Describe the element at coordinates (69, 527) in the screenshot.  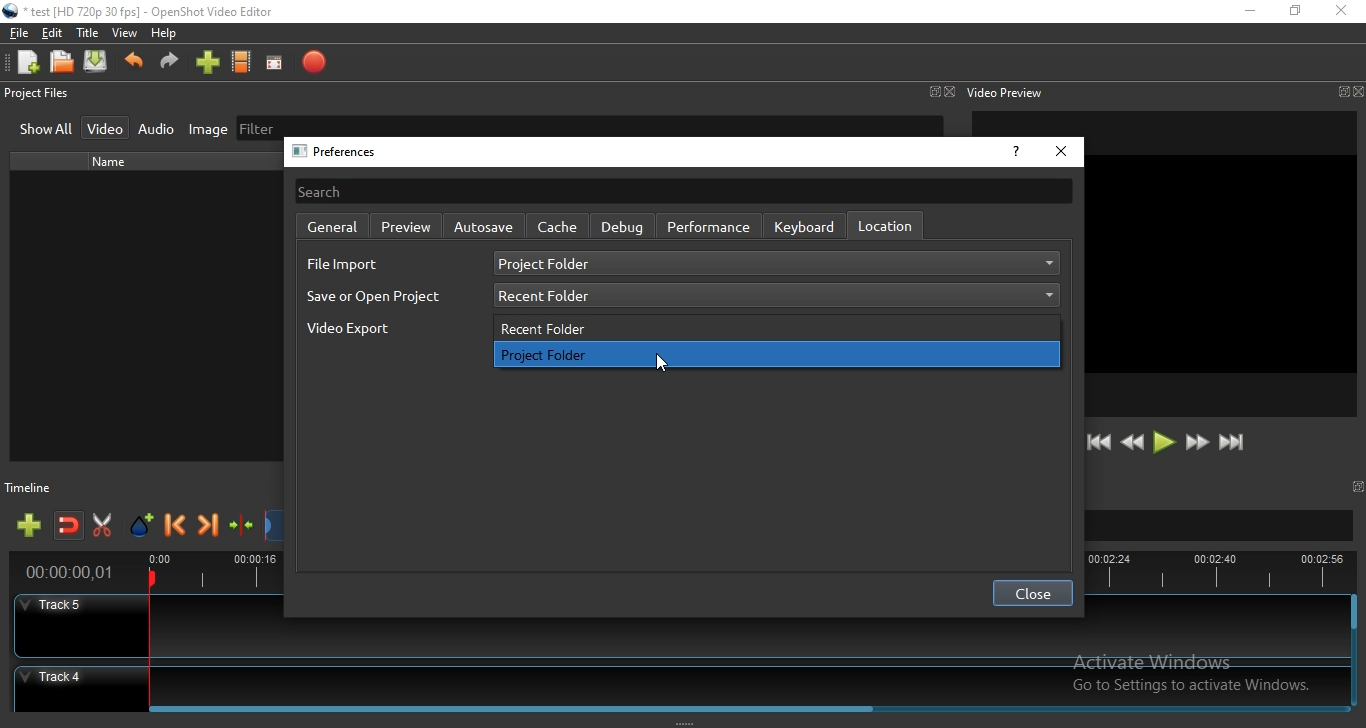
I see `Disable snapping` at that location.